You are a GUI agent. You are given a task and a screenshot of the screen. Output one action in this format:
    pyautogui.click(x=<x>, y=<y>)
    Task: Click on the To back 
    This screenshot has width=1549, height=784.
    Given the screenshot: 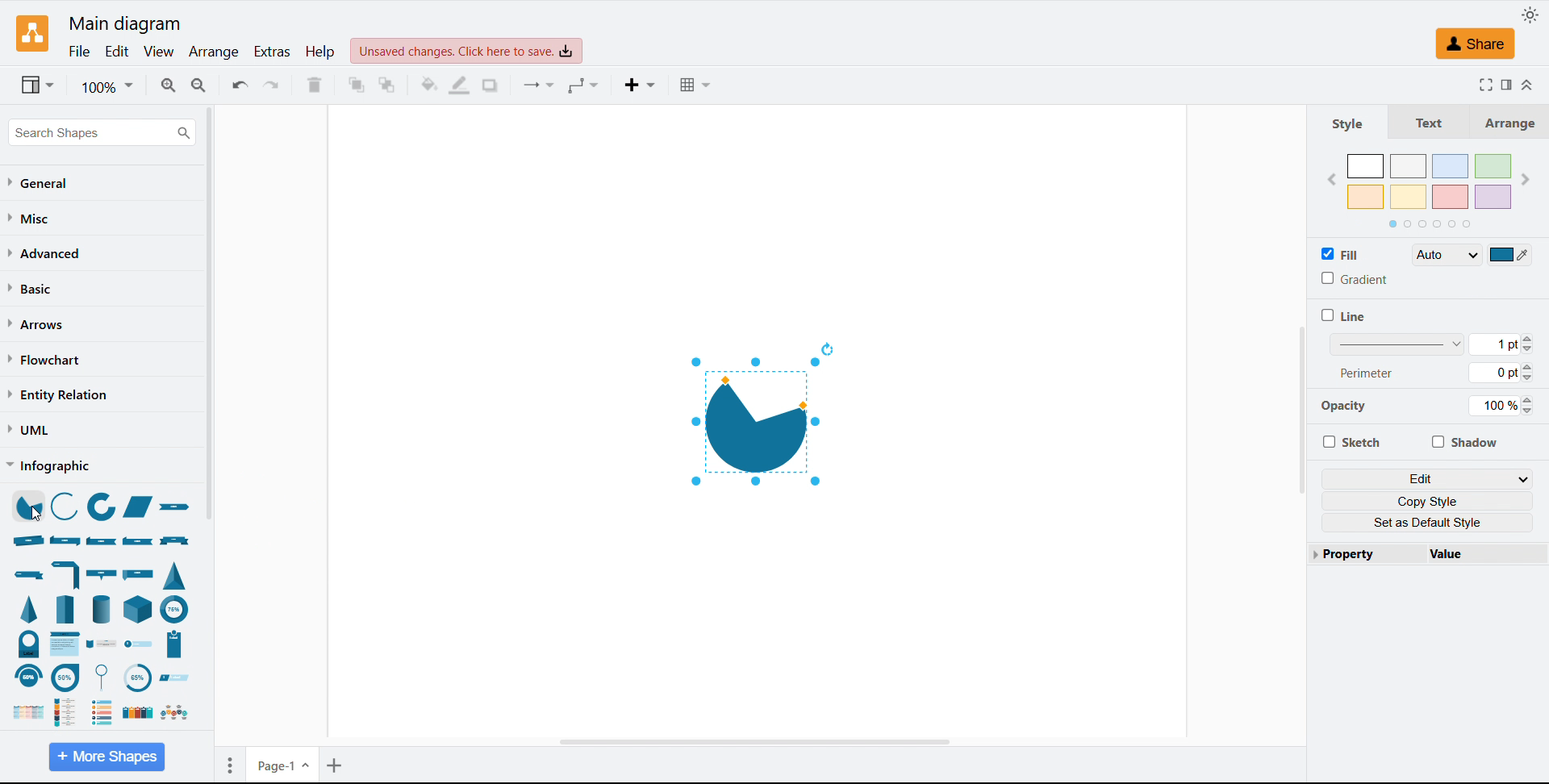 What is the action you would take?
    pyautogui.click(x=387, y=84)
    